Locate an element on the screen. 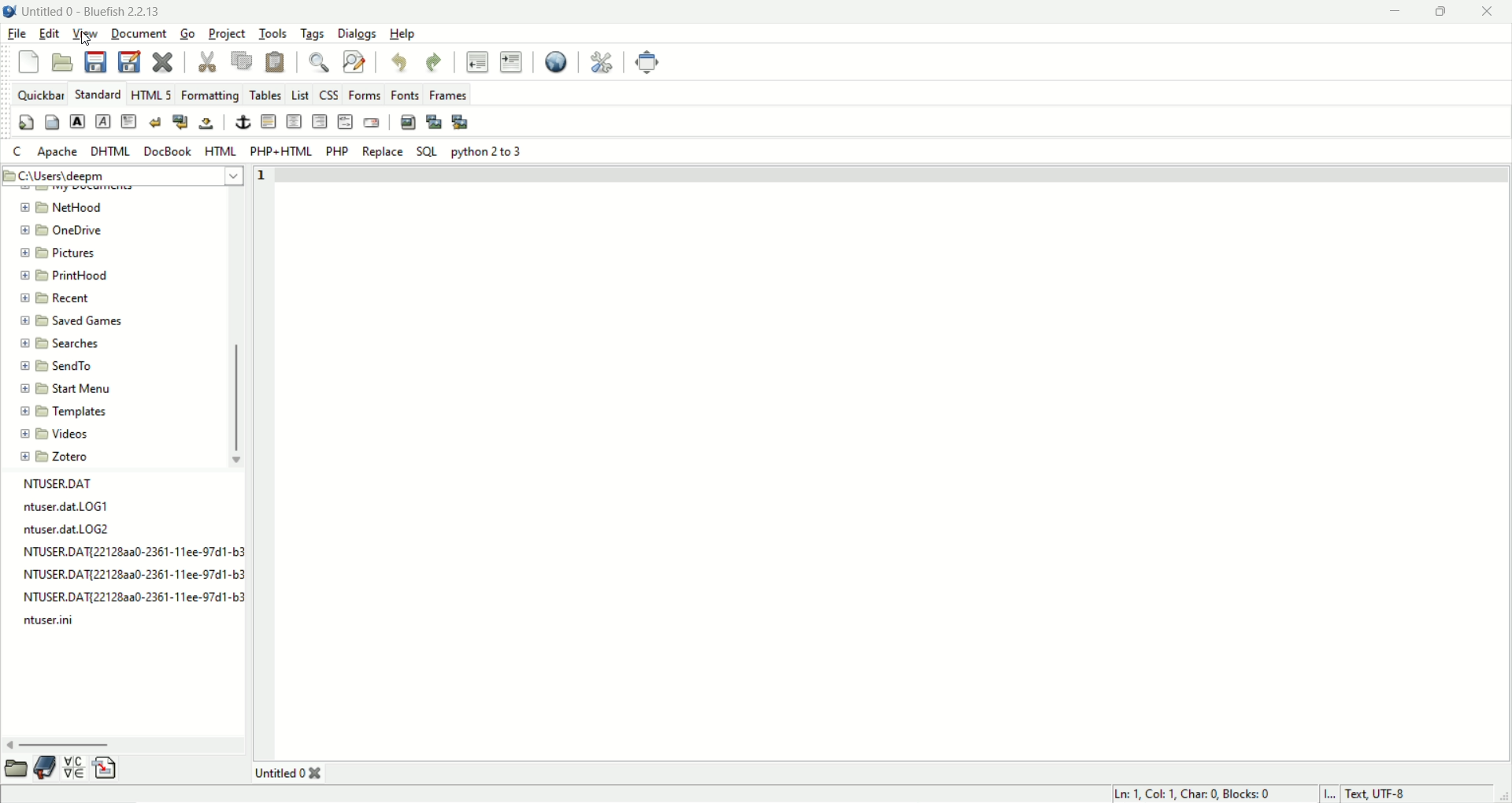  LN, COL, CHAR, BLOCKS is located at coordinates (1193, 793).